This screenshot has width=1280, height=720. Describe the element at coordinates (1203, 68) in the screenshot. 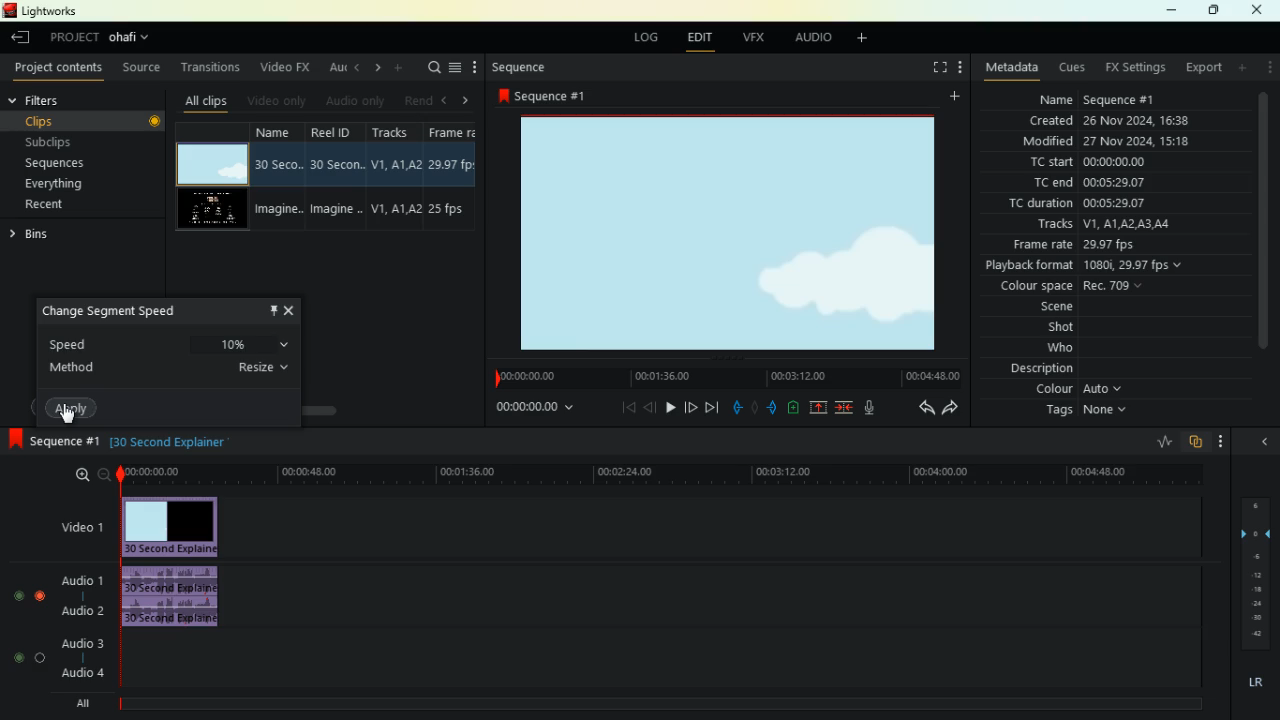

I see `export` at that location.